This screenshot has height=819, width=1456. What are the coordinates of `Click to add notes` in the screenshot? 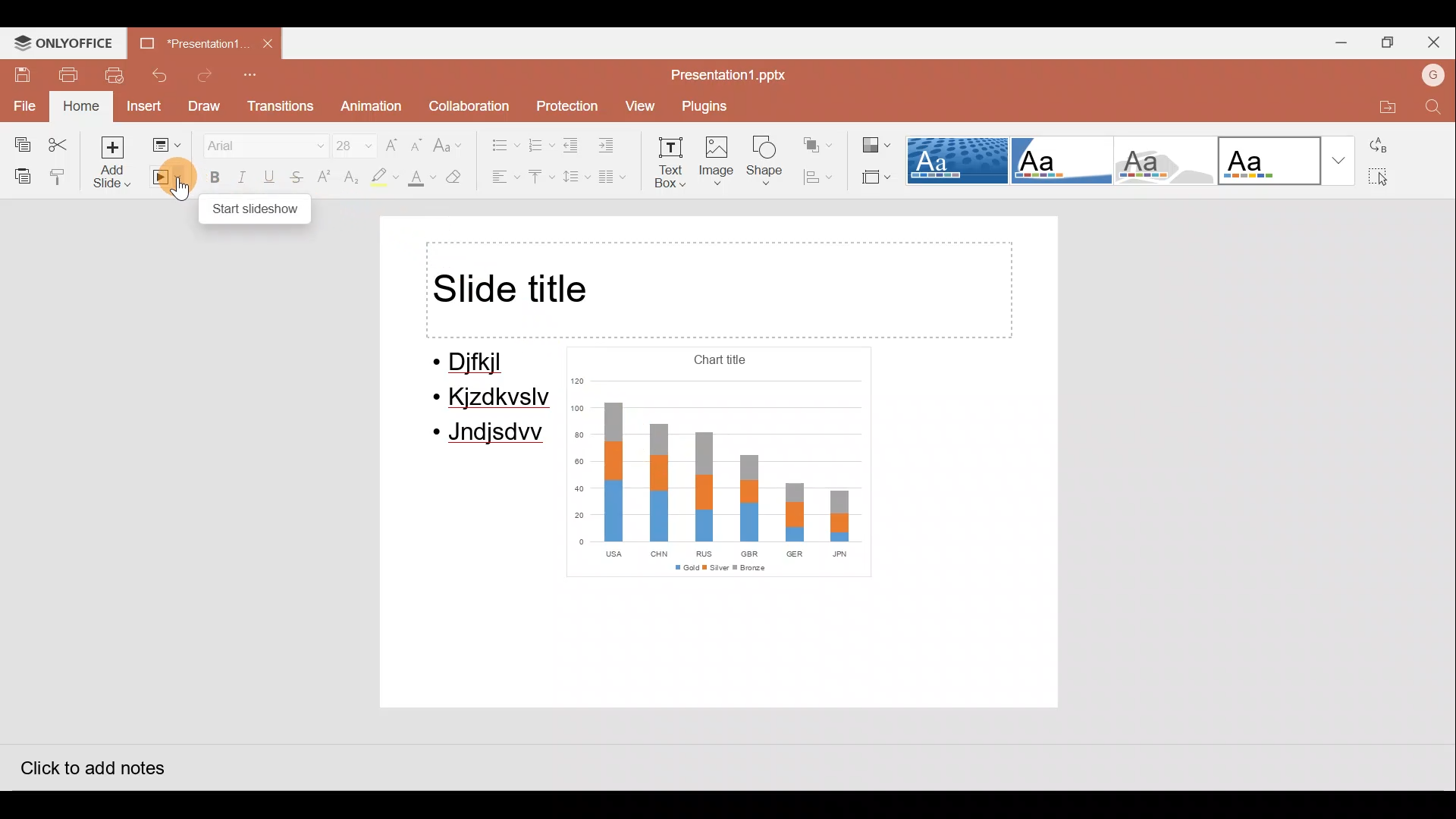 It's located at (91, 767).